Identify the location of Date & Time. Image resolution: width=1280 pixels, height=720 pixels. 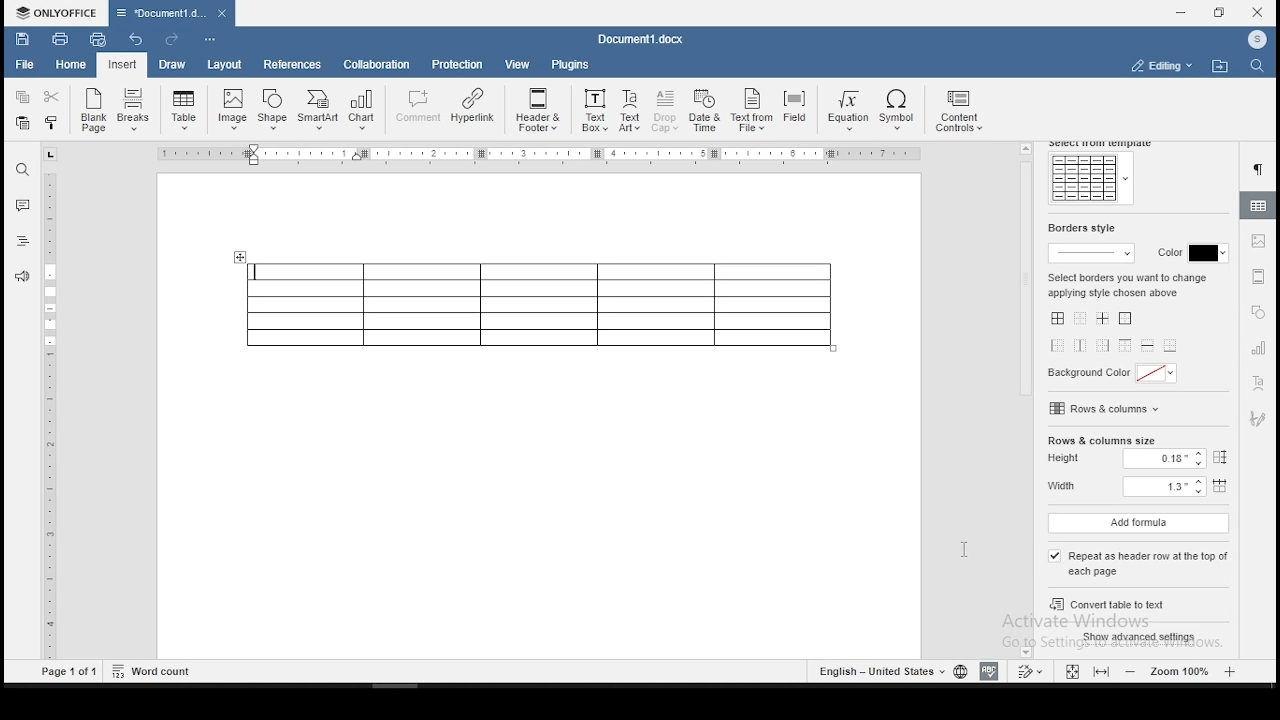
(706, 111).